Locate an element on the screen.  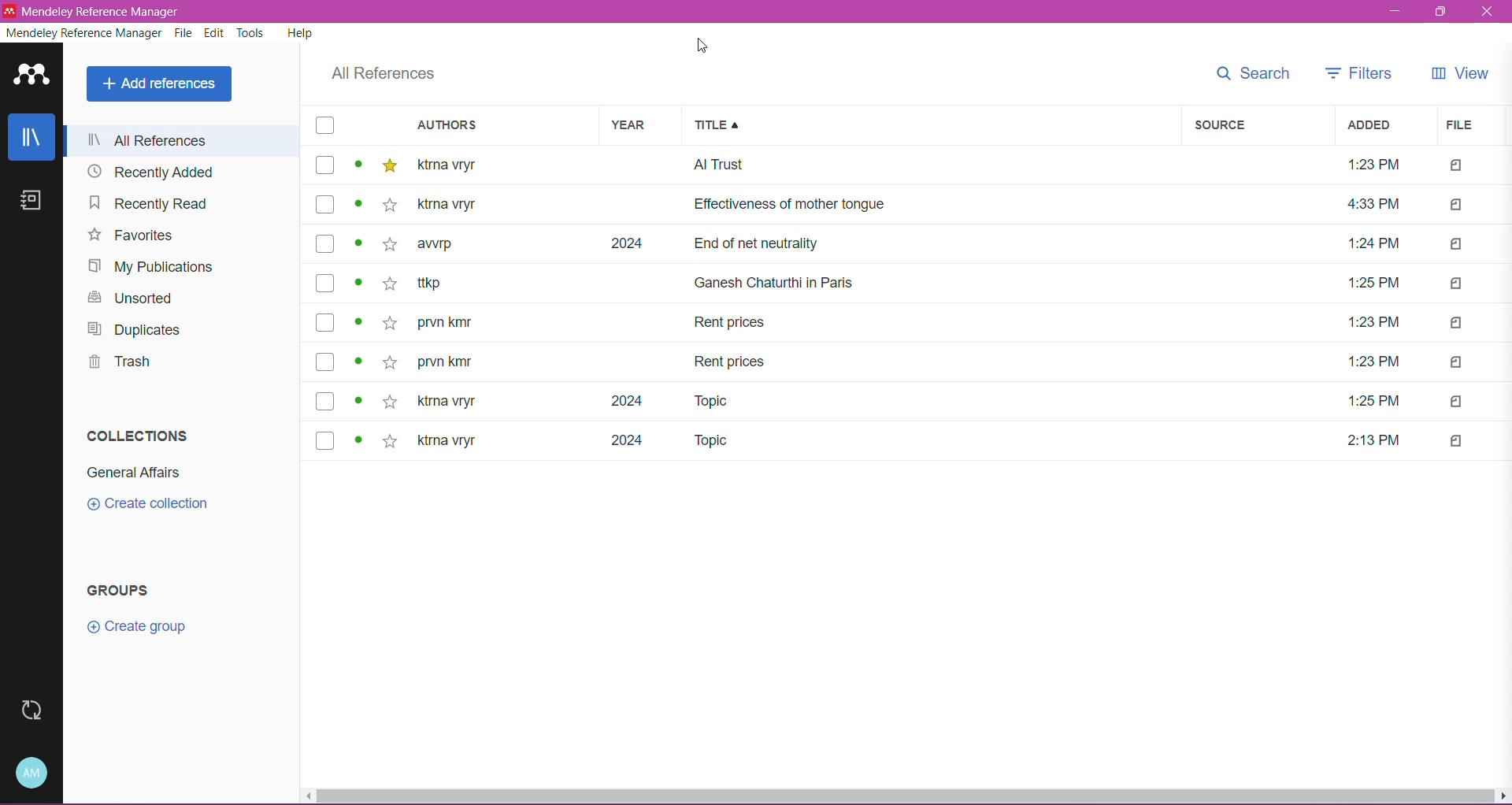
Trash is located at coordinates (120, 365).